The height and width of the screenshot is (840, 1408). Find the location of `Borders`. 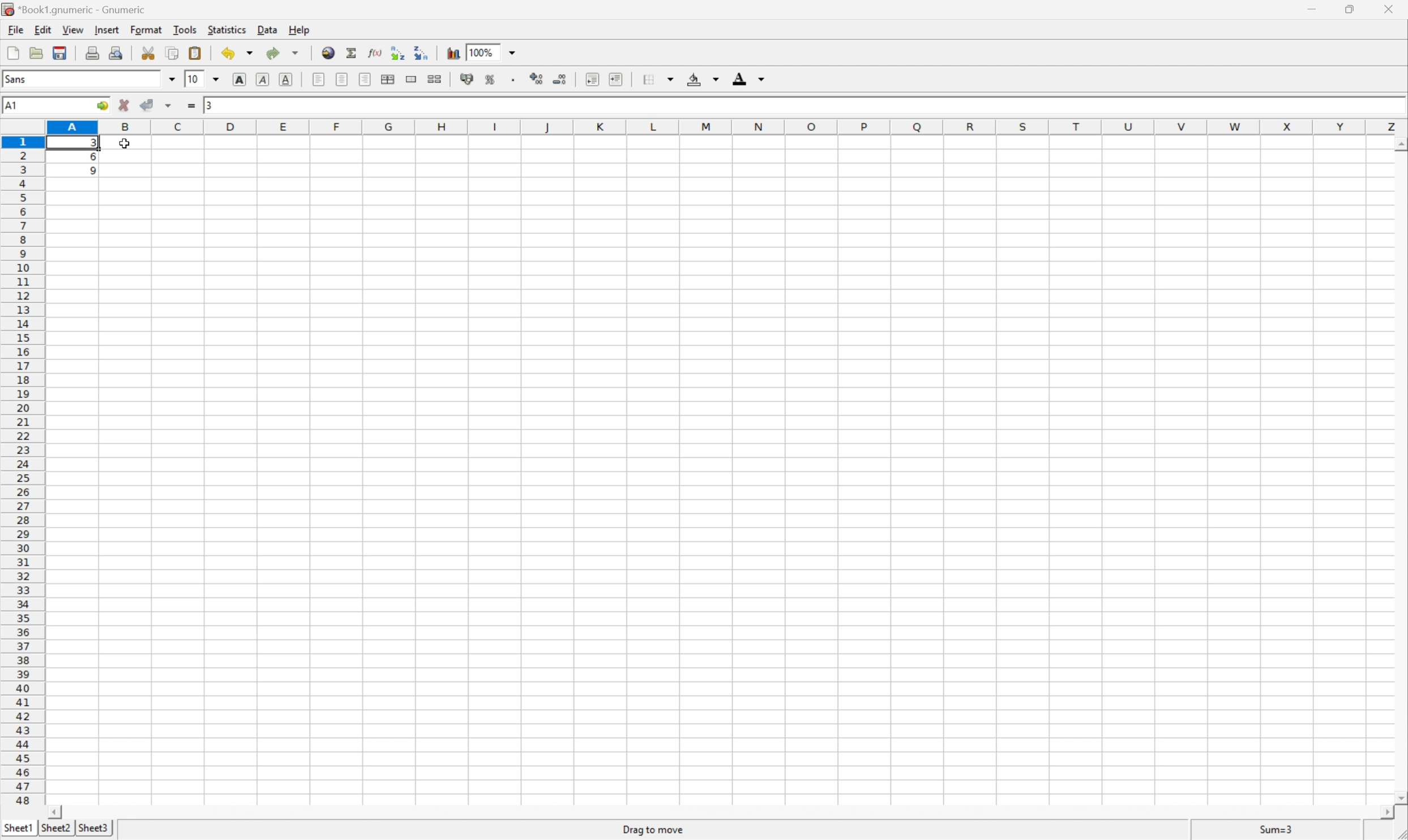

Borders is located at coordinates (657, 79).